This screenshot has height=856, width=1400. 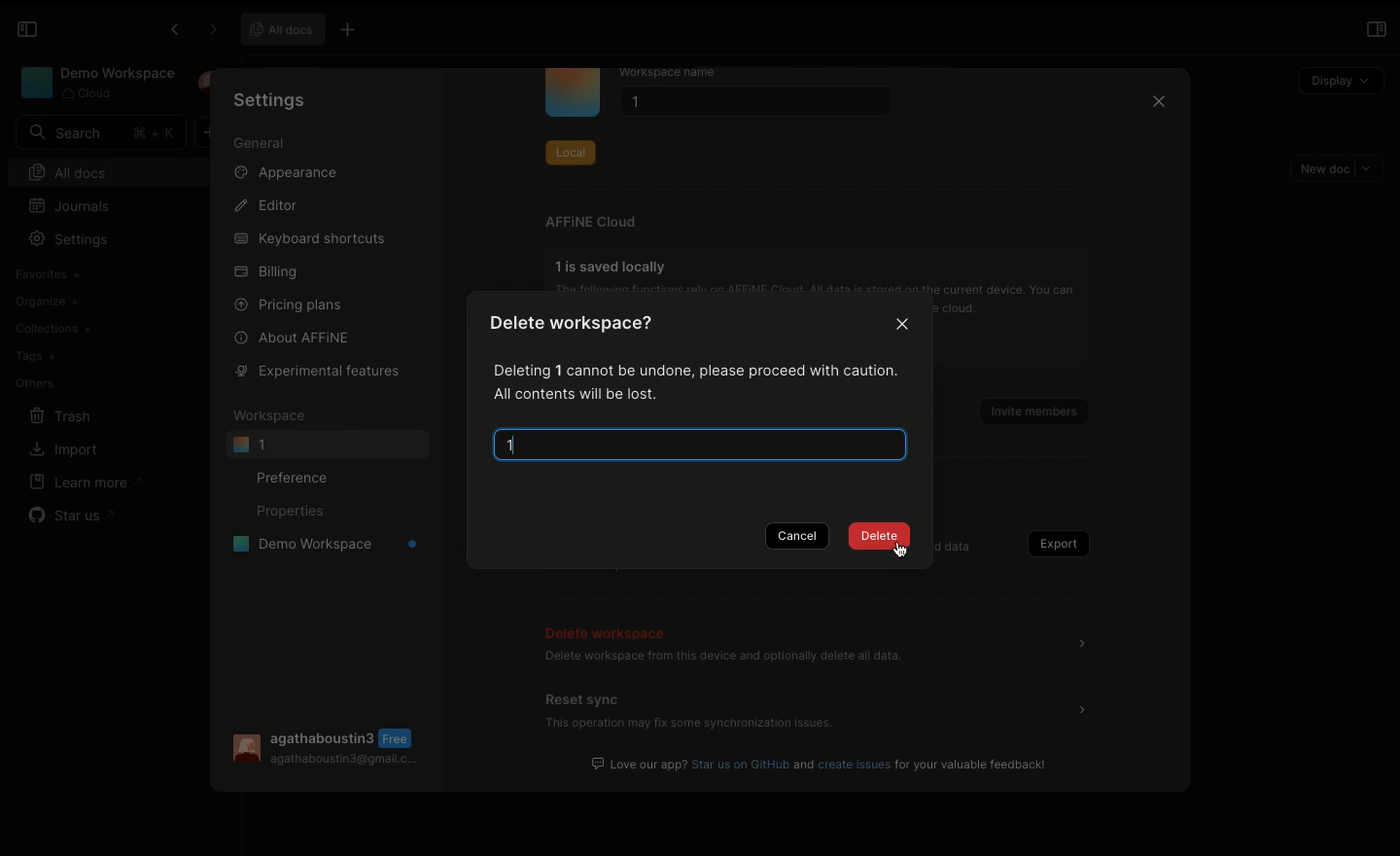 What do you see at coordinates (313, 370) in the screenshot?
I see `Experimental features` at bounding box center [313, 370].